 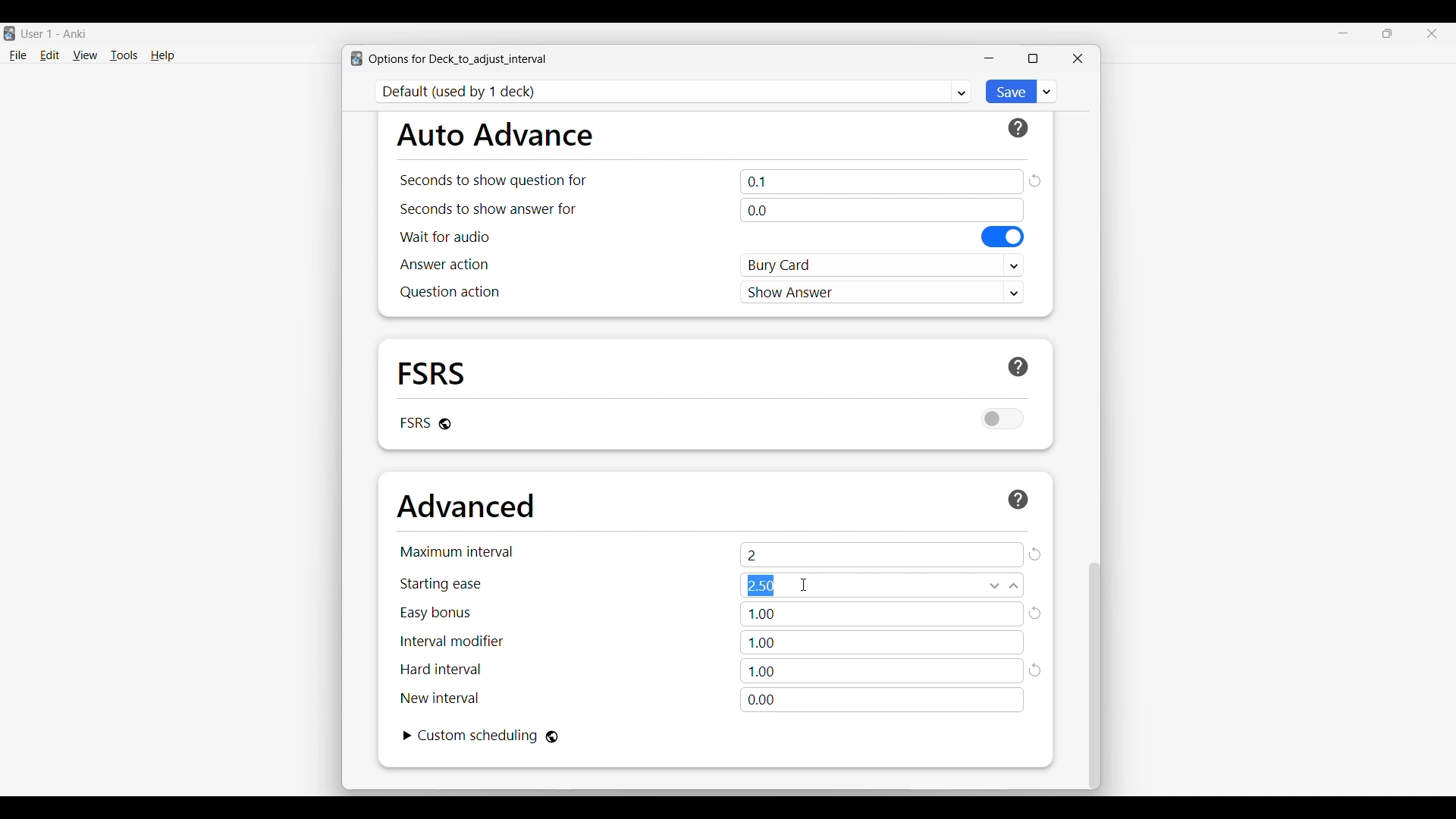 What do you see at coordinates (452, 641) in the screenshot?
I see `Indicates interval modifier` at bounding box center [452, 641].